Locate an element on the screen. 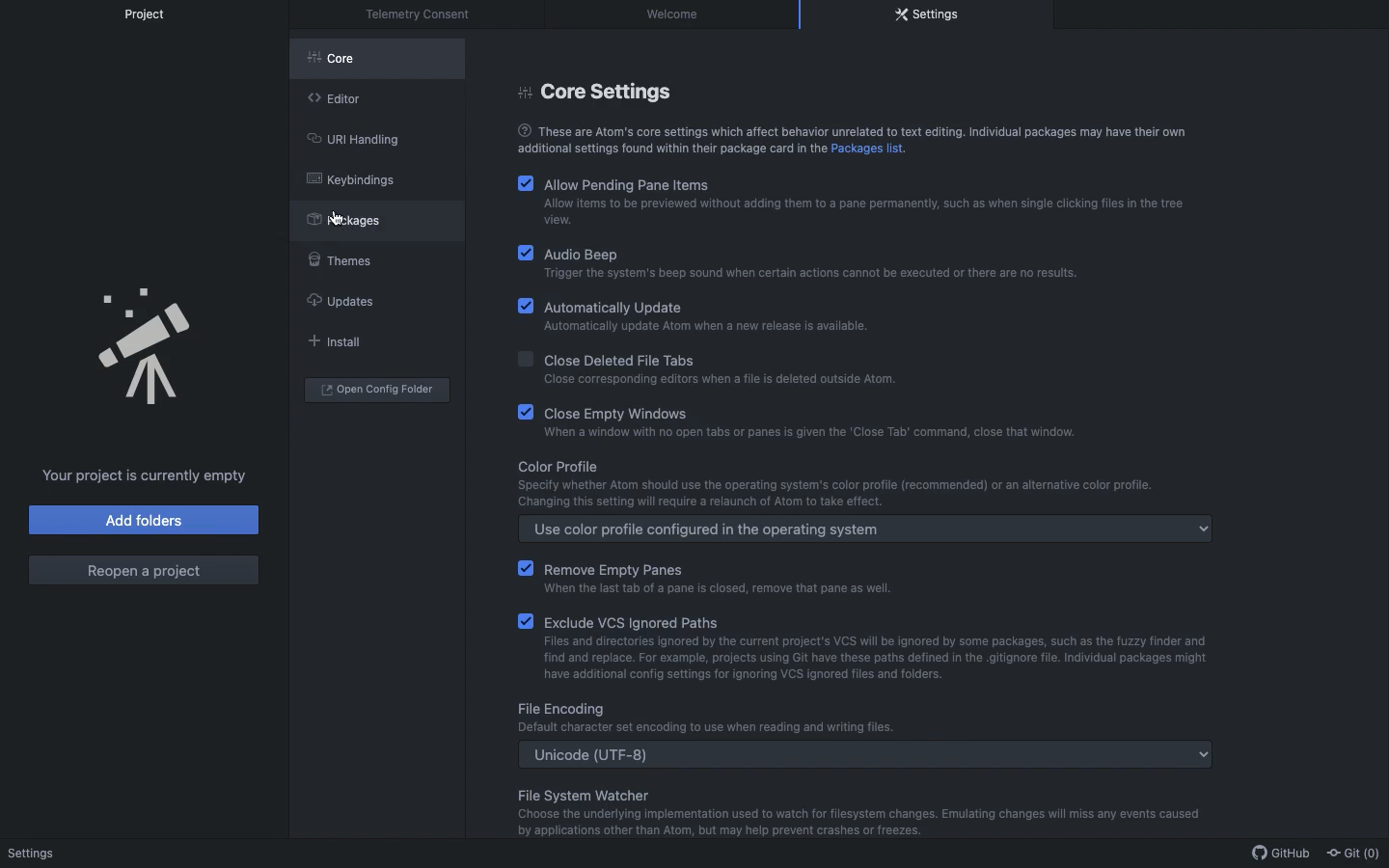  Automatically Update. Automatically update Atom when a new release is available. is located at coordinates (703, 319).